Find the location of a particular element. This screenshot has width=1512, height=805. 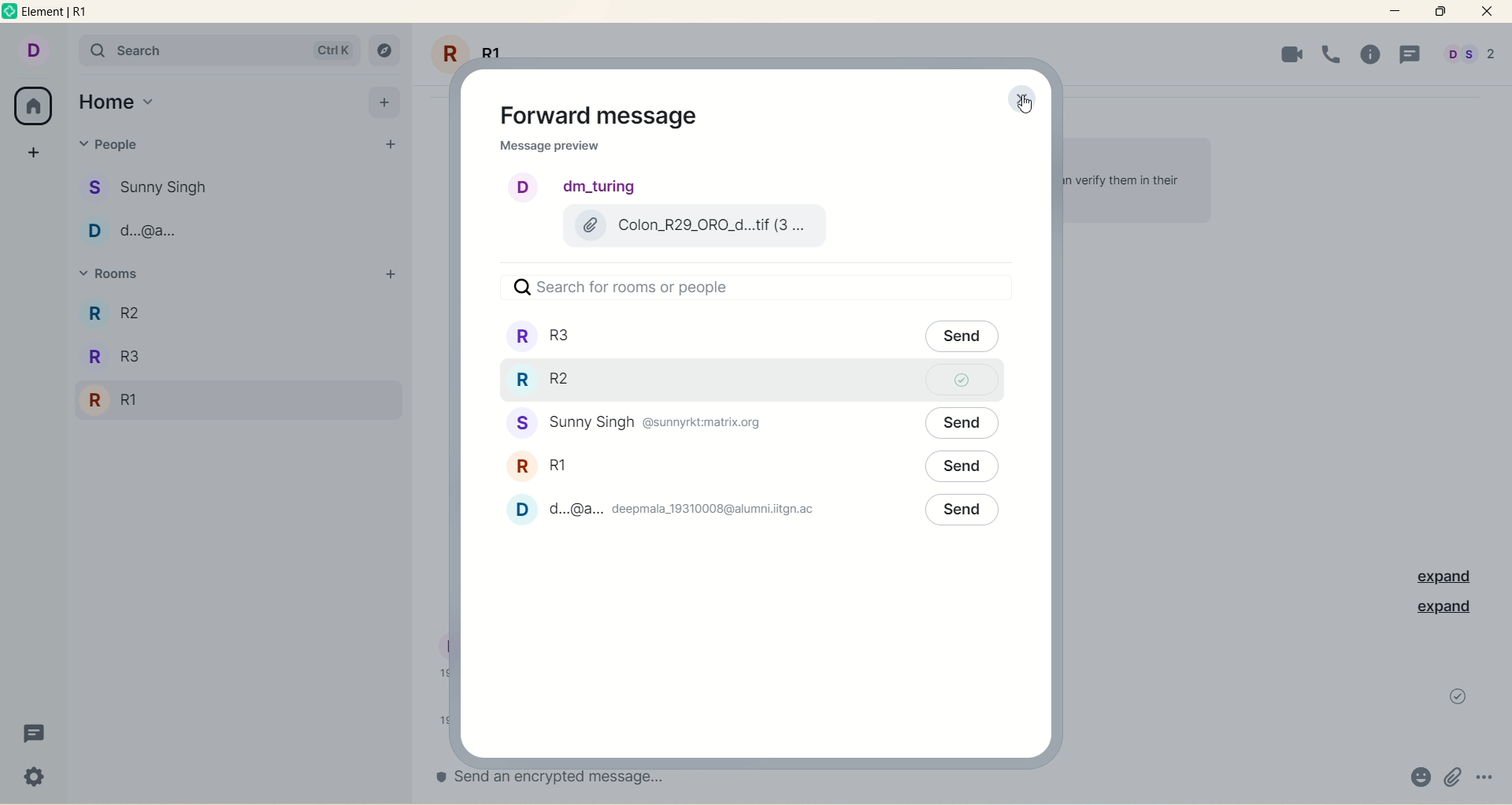

close is located at coordinates (1017, 99).